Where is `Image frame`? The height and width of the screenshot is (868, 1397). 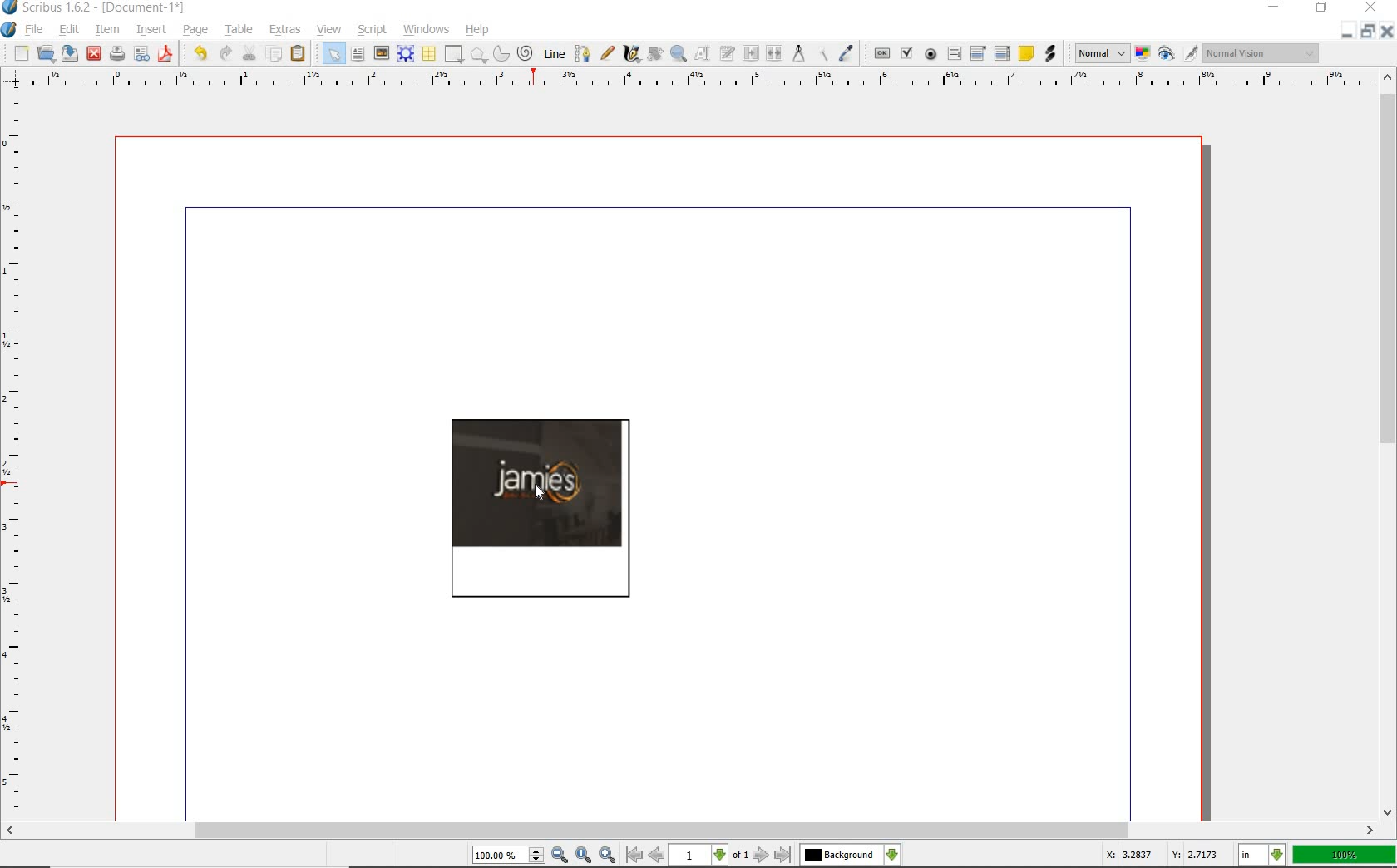 Image frame is located at coordinates (540, 507).